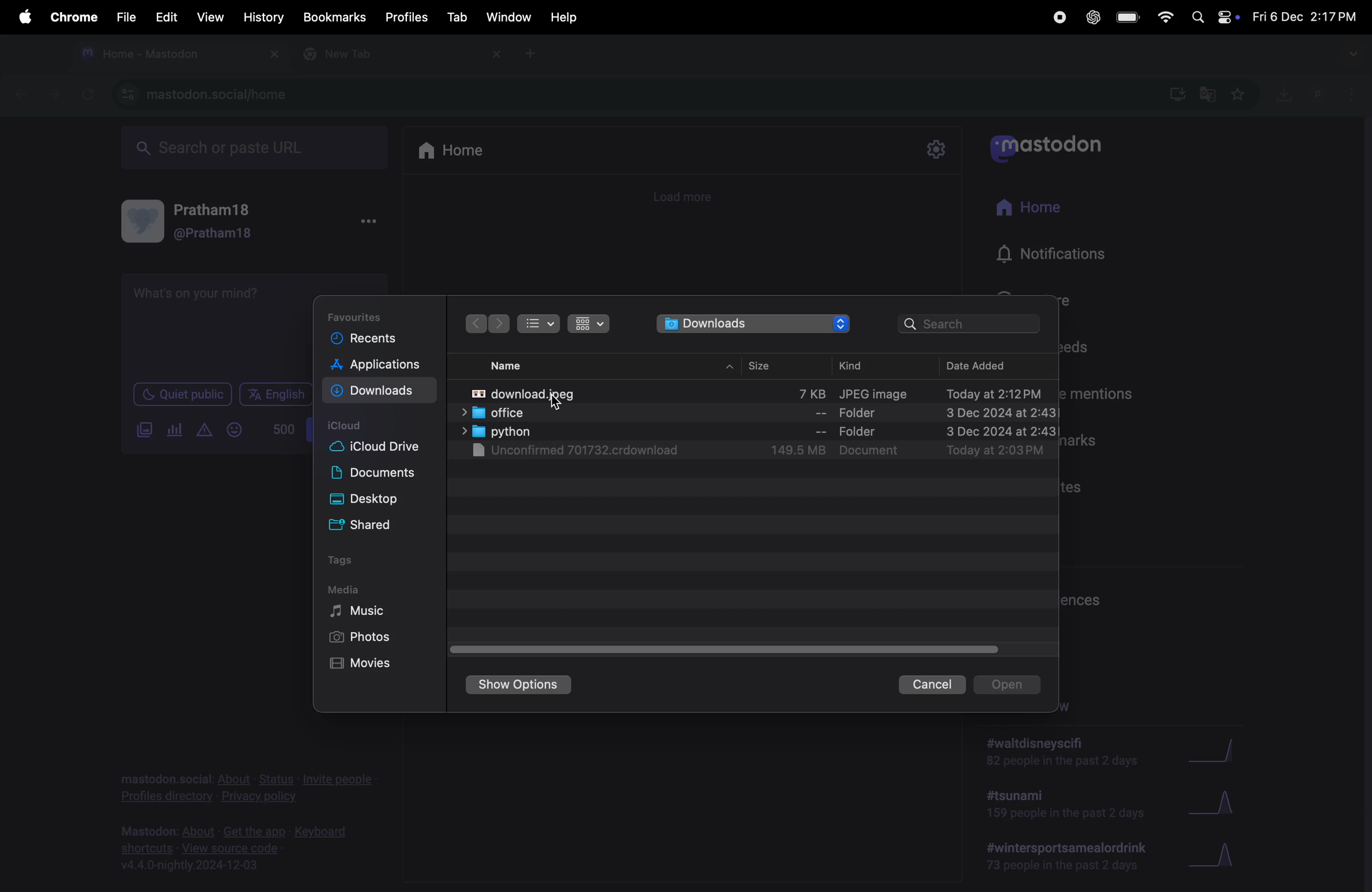 This screenshot has width=1372, height=892. Describe the element at coordinates (406, 17) in the screenshot. I see `profiles` at that location.